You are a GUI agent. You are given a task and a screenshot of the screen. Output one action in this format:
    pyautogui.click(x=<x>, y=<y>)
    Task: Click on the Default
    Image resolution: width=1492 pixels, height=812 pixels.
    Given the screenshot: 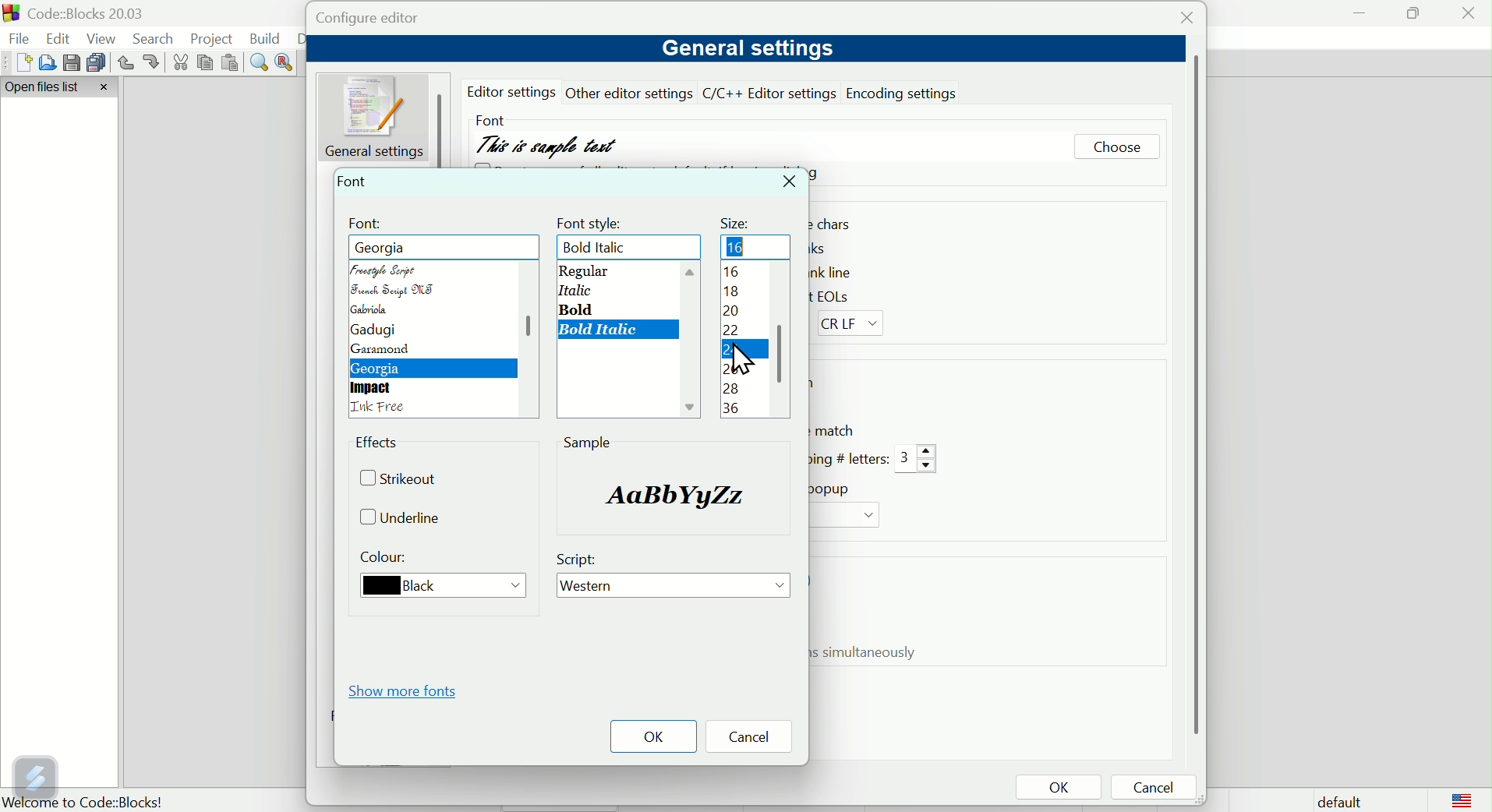 What is the action you would take?
    pyautogui.click(x=1336, y=800)
    